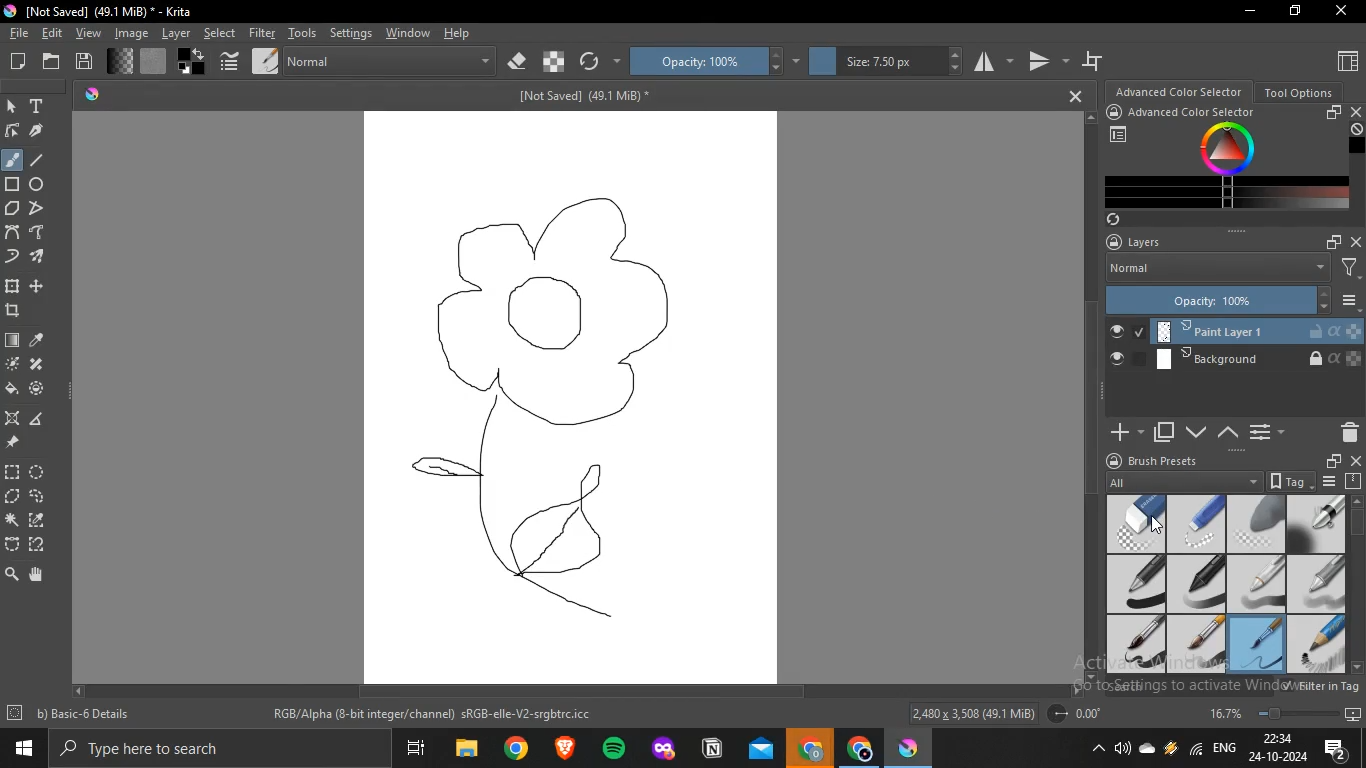  I want to click on Canvas, so click(575, 396).